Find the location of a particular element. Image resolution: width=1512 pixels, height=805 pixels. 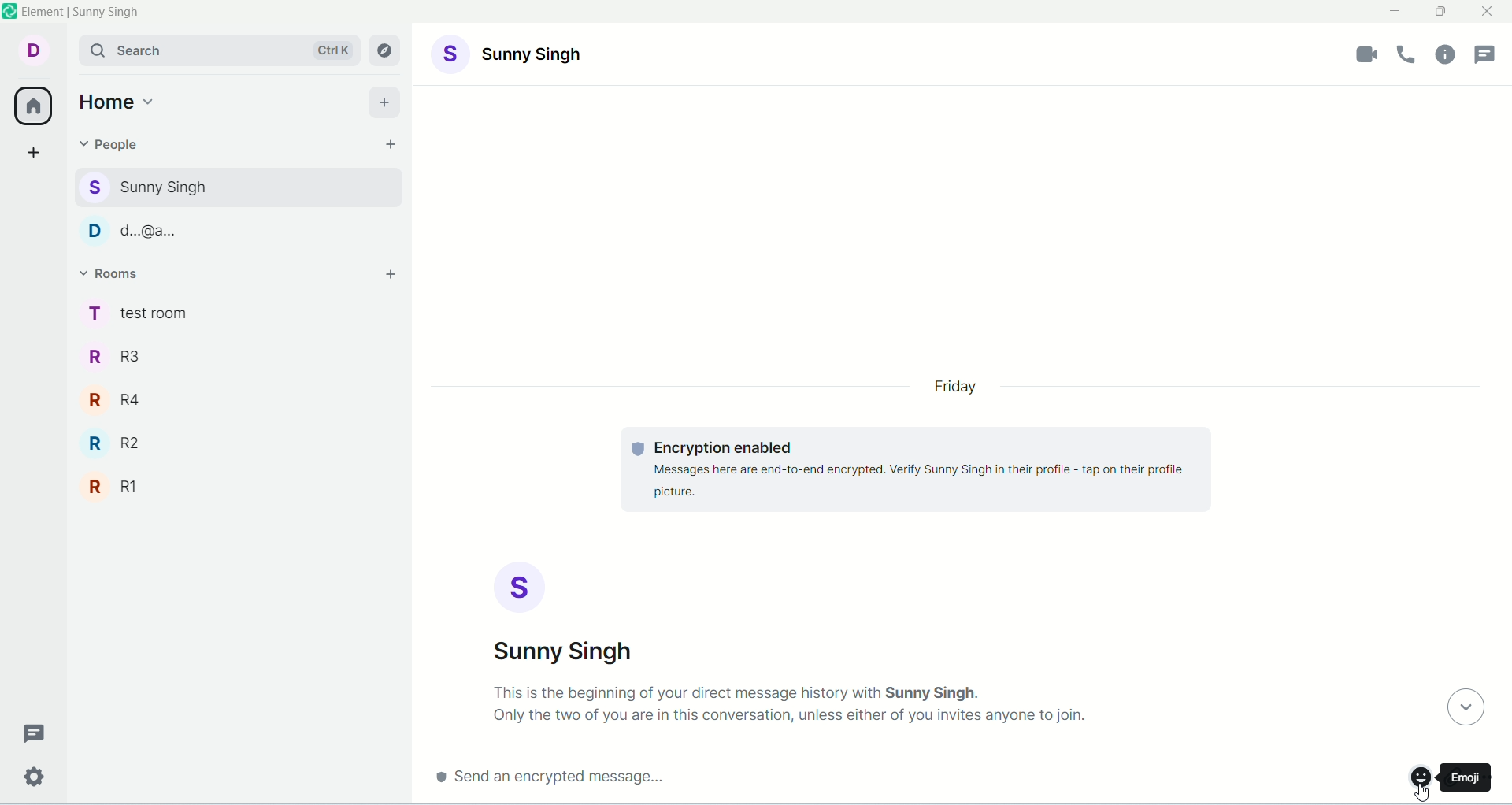

sunny singh is located at coordinates (235, 185).